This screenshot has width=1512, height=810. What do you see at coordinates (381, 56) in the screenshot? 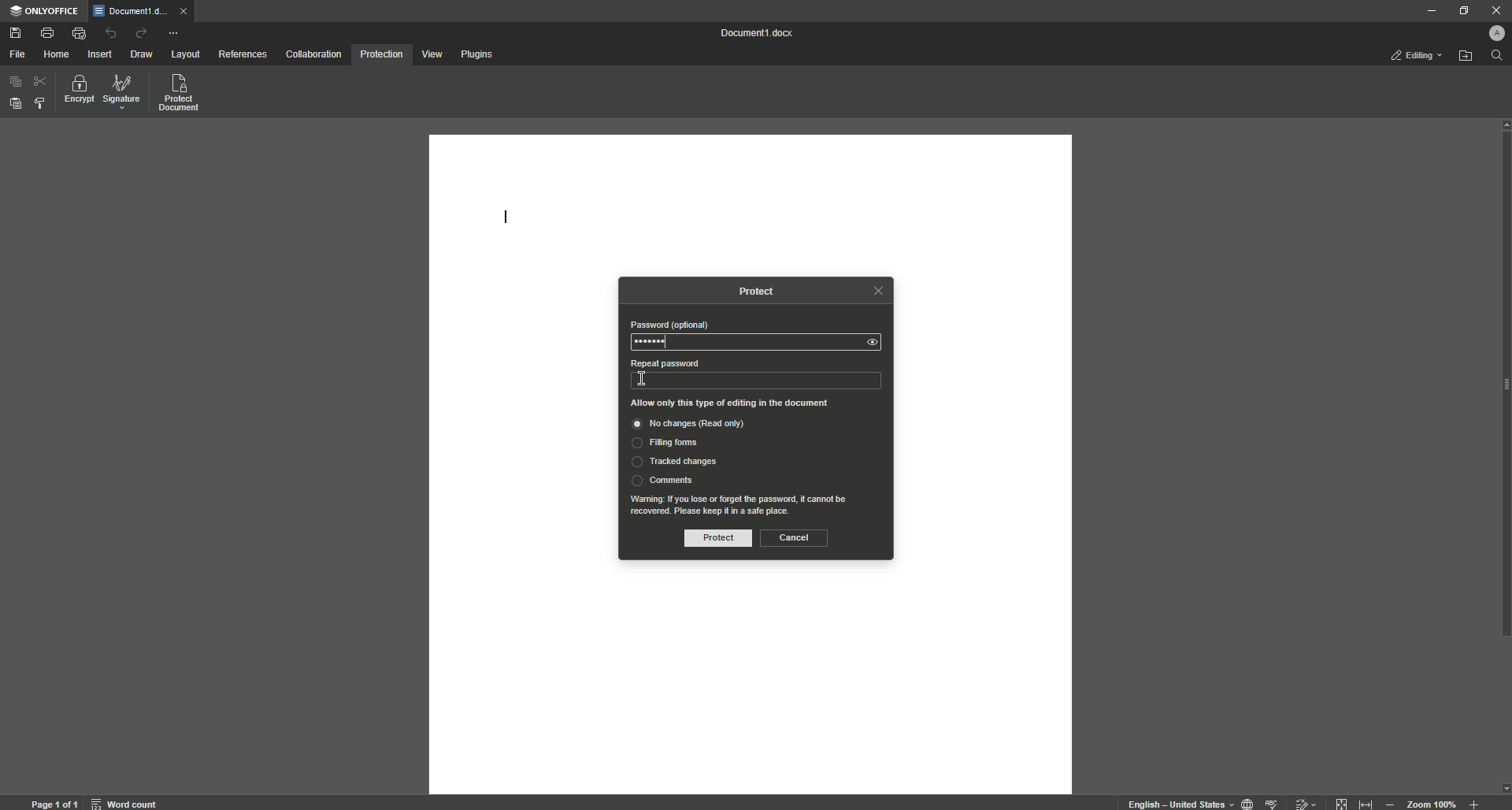
I see `Protection` at bounding box center [381, 56].